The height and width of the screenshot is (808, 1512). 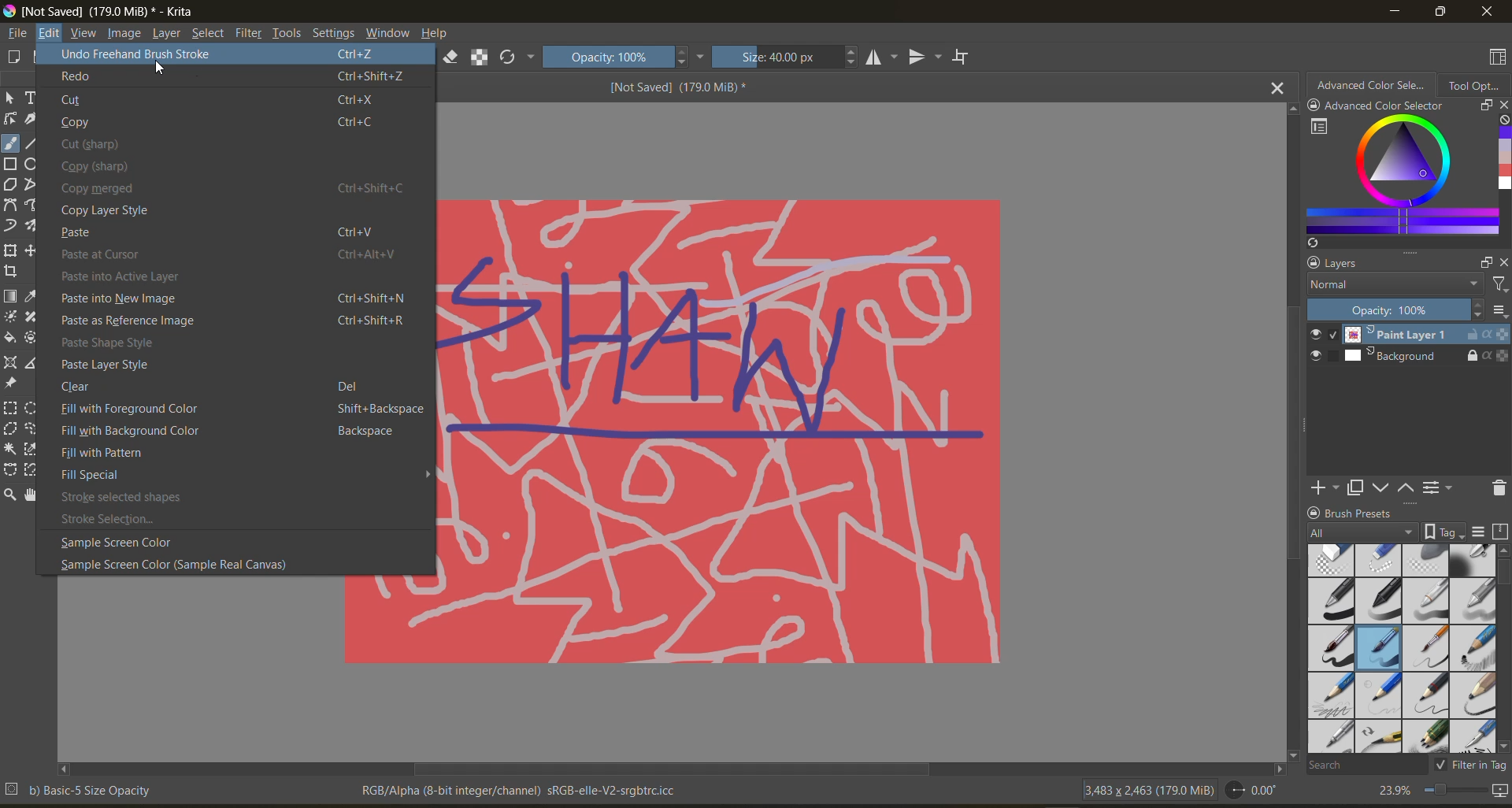 I want to click on close tab, so click(x=1275, y=89).